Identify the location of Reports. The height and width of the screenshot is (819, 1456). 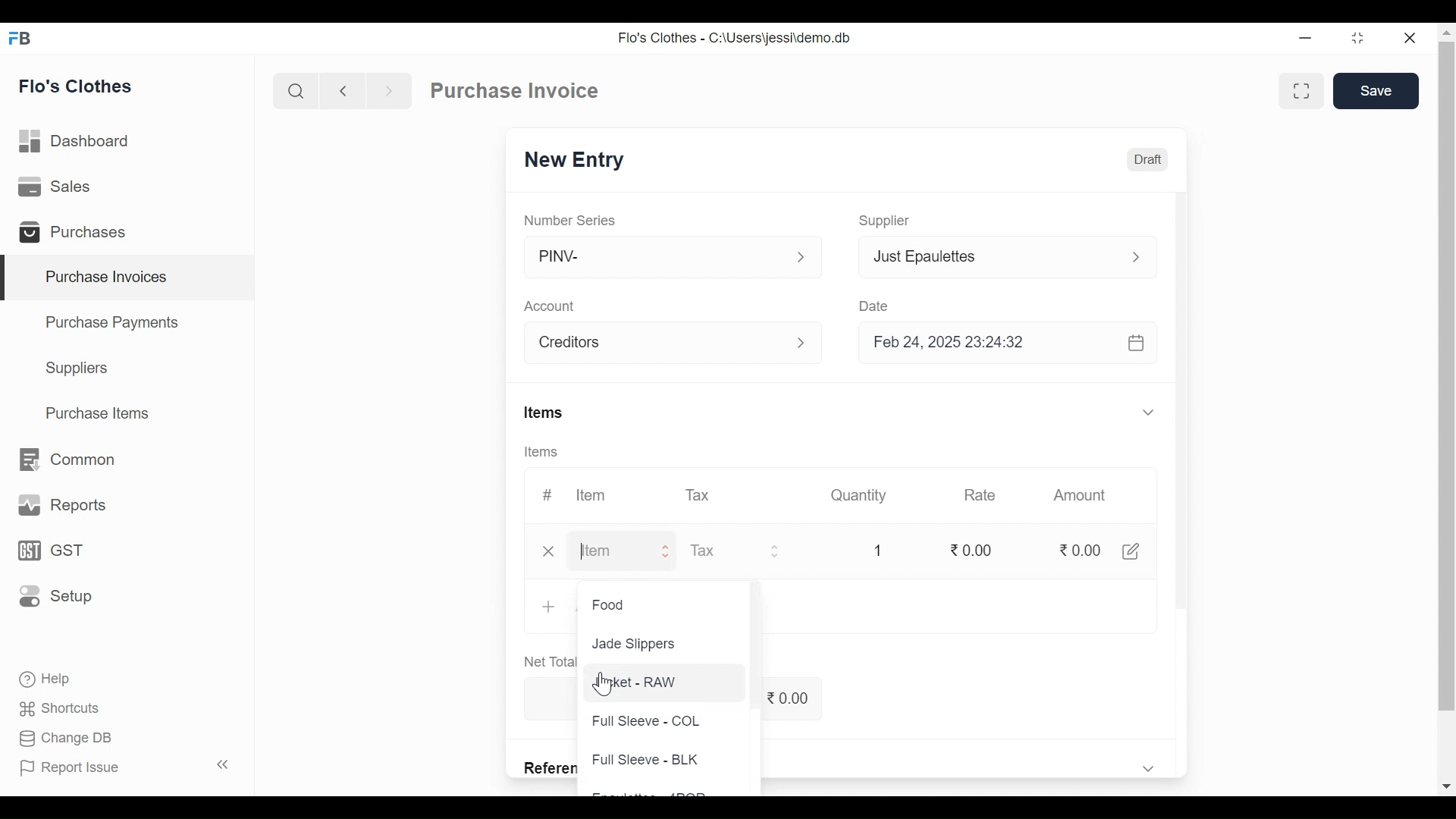
(59, 504).